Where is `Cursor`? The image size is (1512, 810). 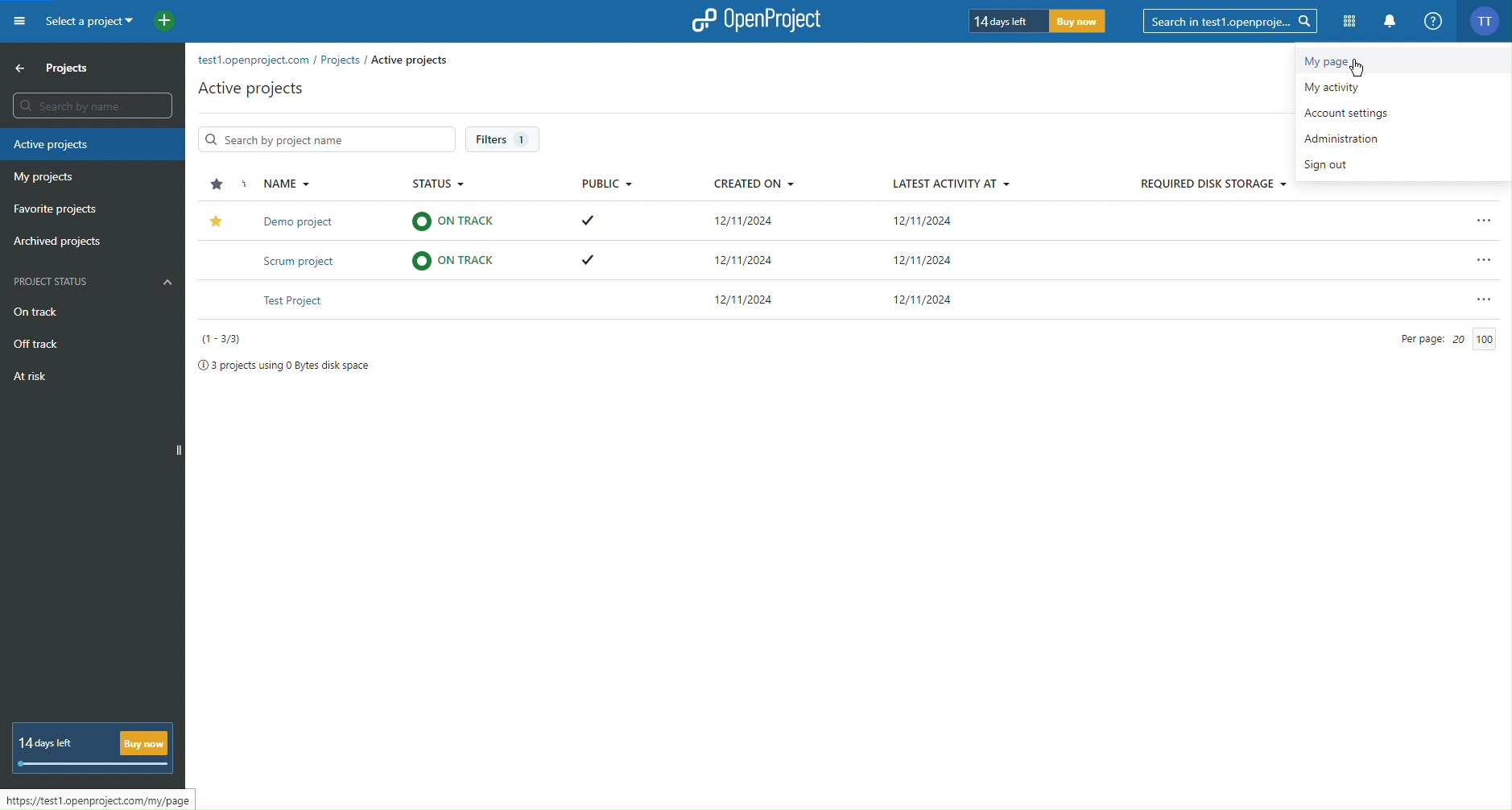
Cursor is located at coordinates (1361, 71).